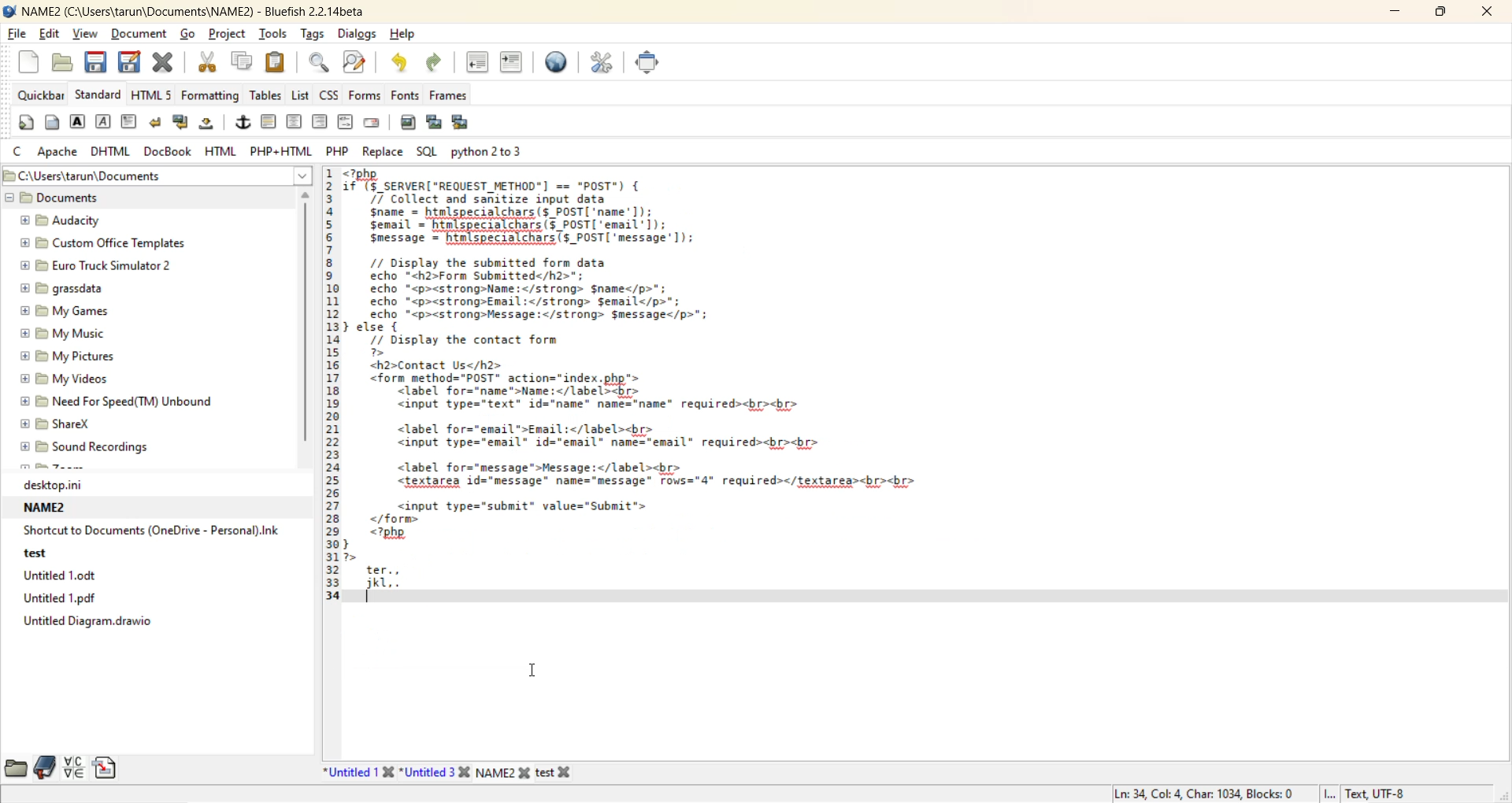 The height and width of the screenshot is (803, 1512). Describe the element at coordinates (36, 552) in the screenshot. I see `test` at that location.